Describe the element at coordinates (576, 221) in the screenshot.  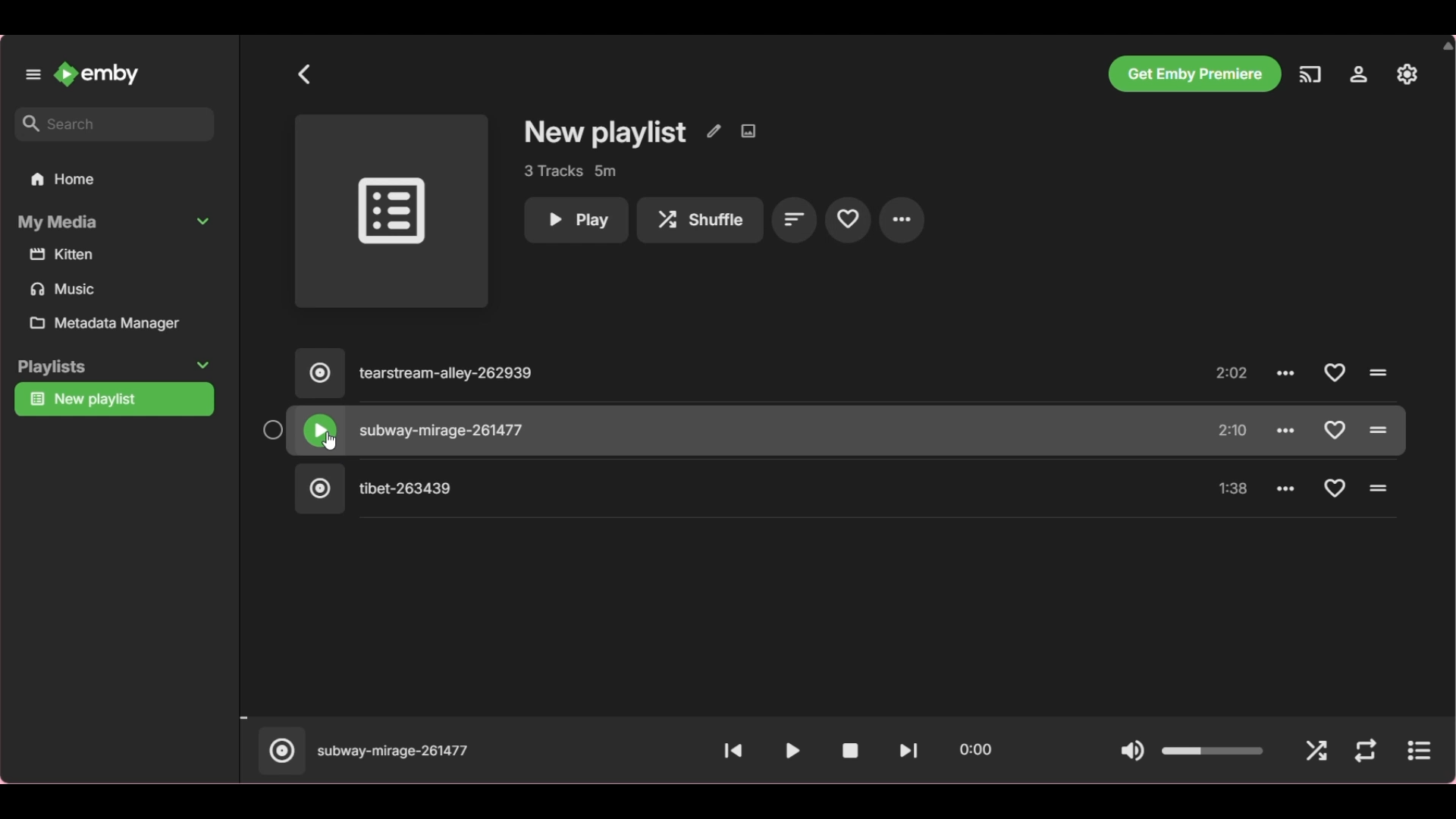
I see `Play` at that location.